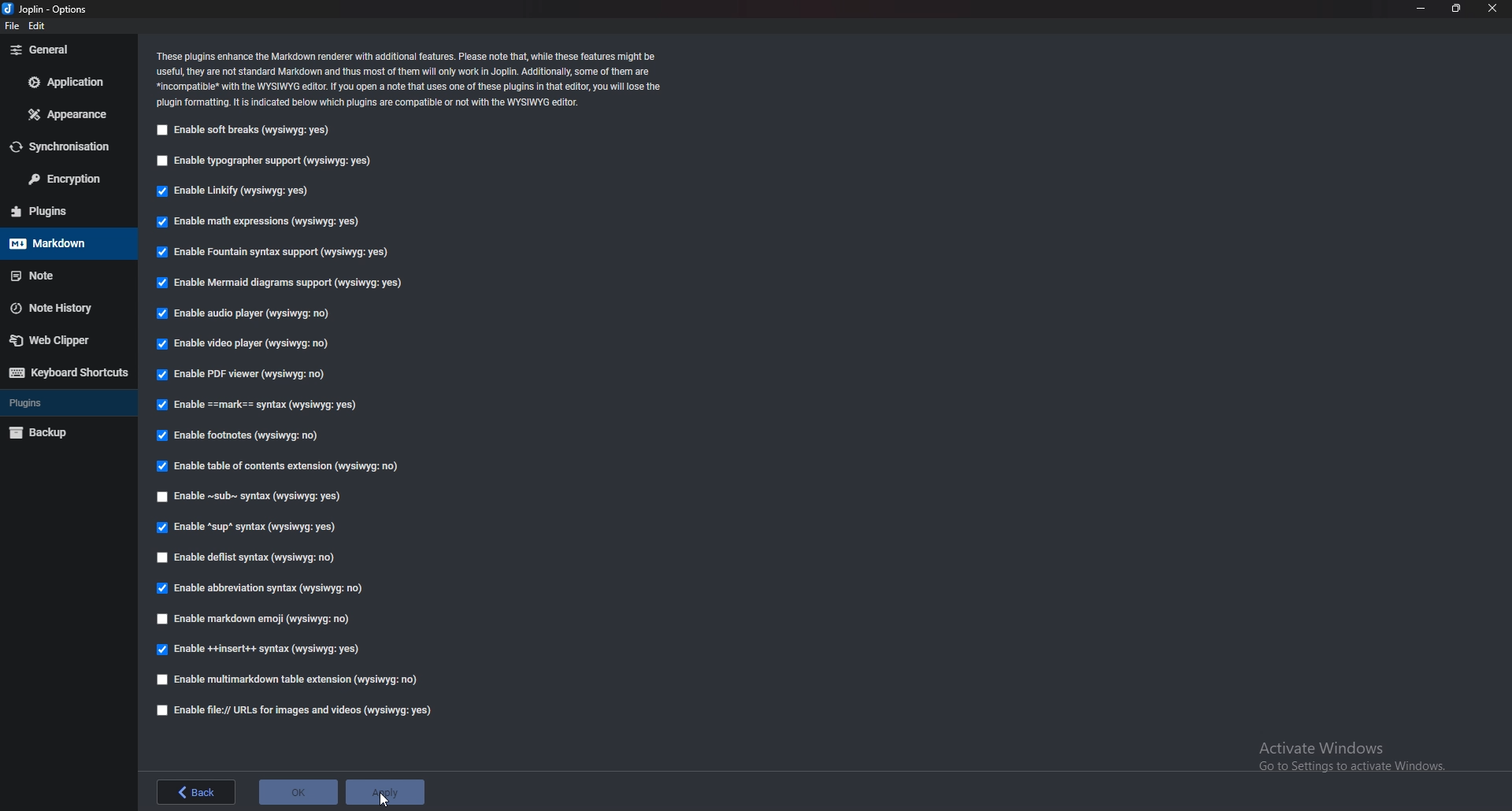  I want to click on Plugins, so click(61, 209).